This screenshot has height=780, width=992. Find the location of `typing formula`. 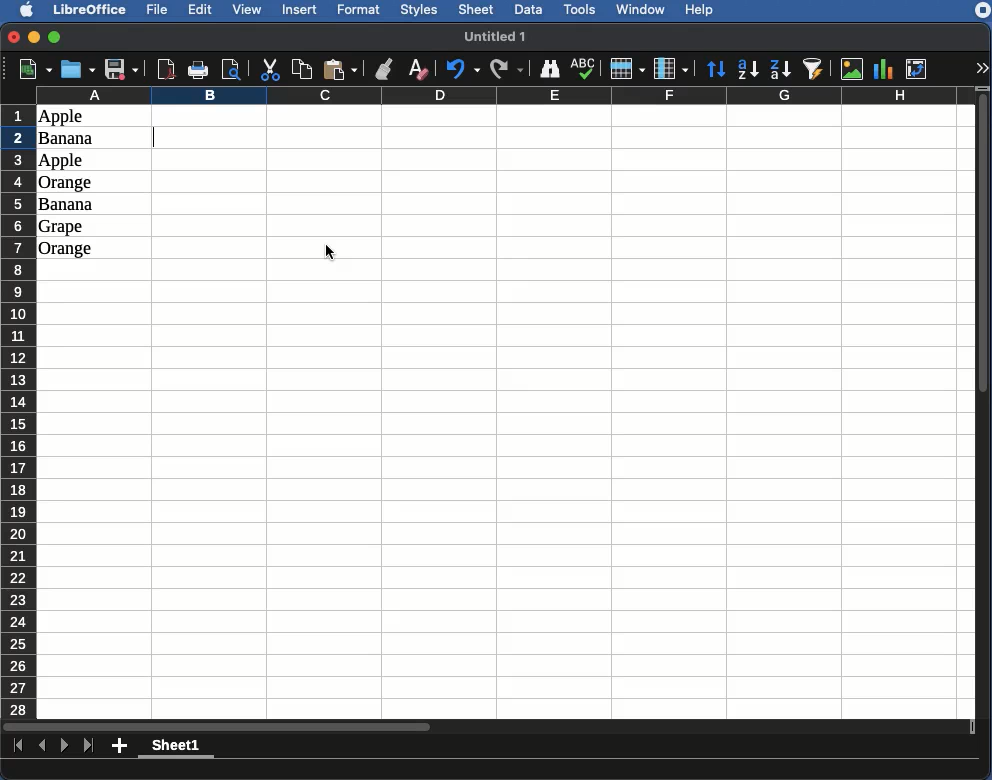

typing formula is located at coordinates (208, 137).